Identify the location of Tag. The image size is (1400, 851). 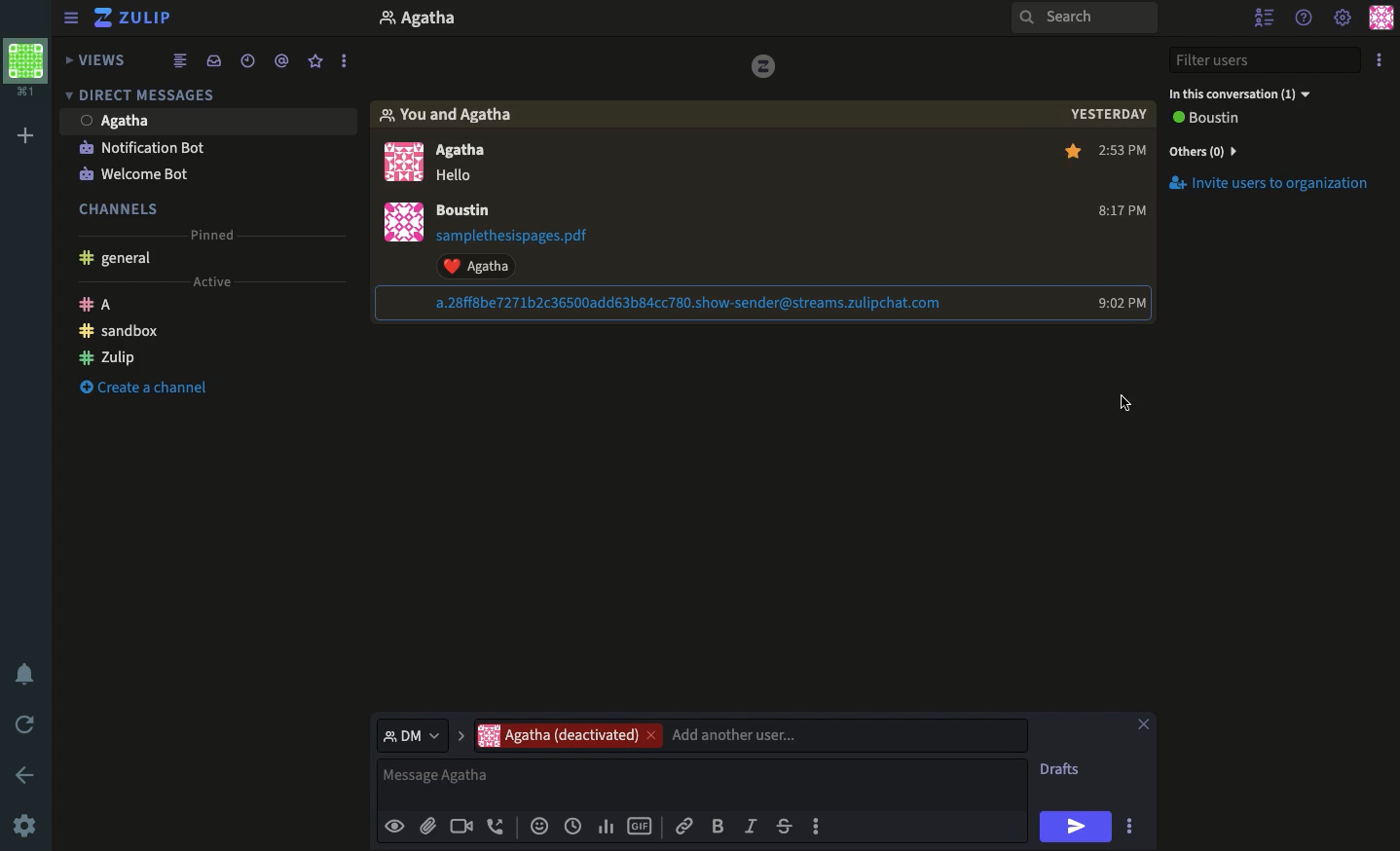
(281, 61).